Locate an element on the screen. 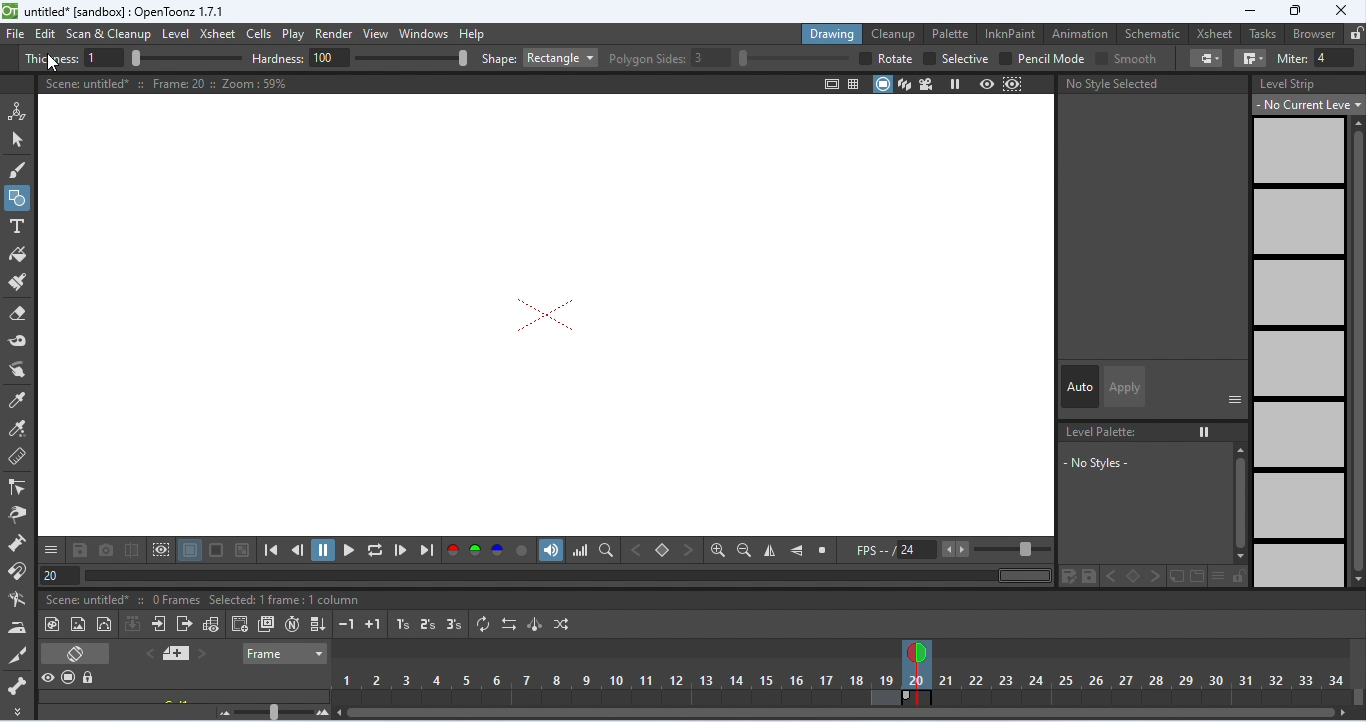 The width and height of the screenshot is (1366, 722). pinch is located at coordinates (19, 516).